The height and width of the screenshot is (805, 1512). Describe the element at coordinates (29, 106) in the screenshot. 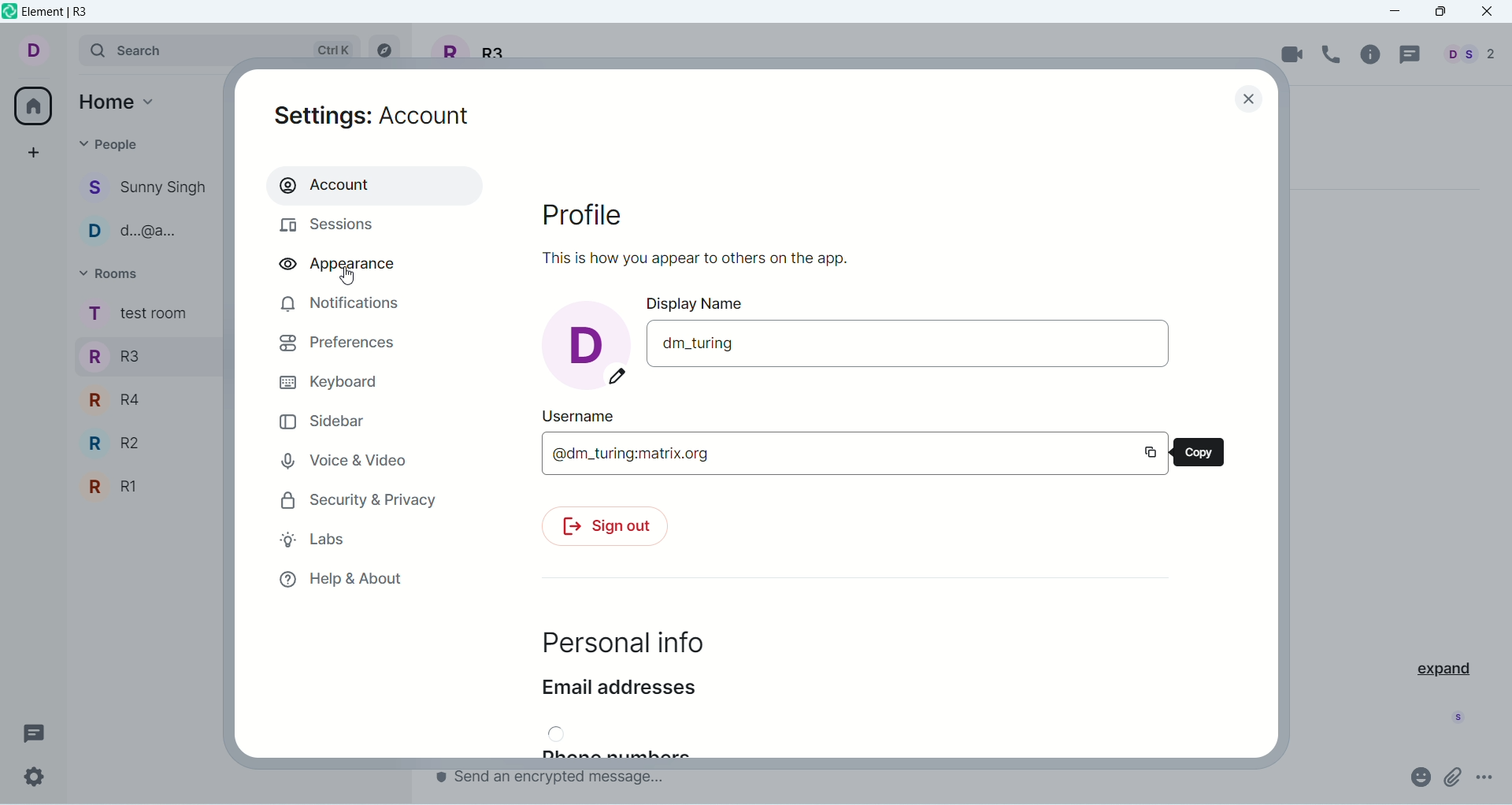

I see `all rooms` at that location.